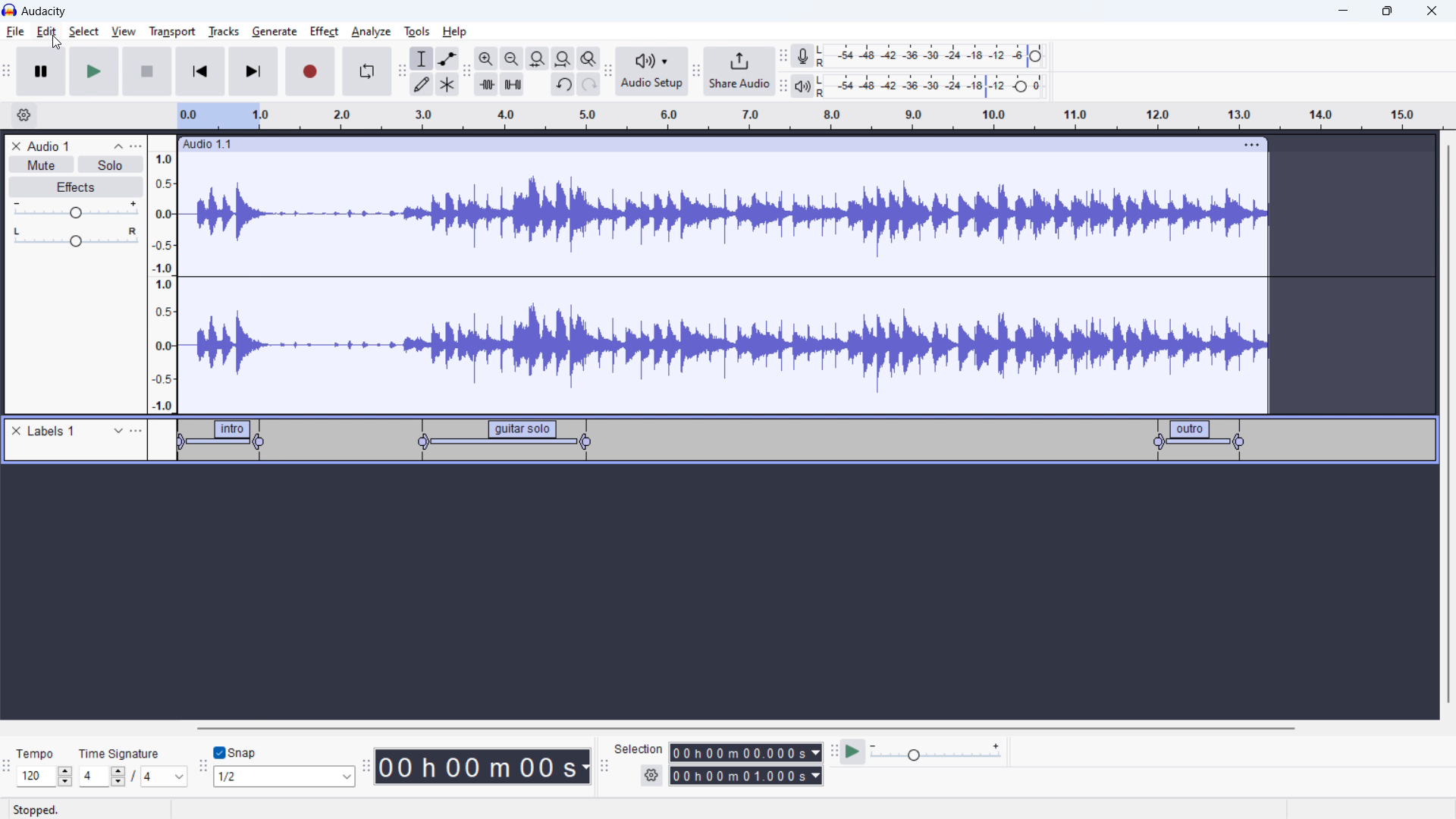 Image resolution: width=1456 pixels, height=819 pixels. Describe the element at coordinates (935, 752) in the screenshot. I see `playback speed` at that location.